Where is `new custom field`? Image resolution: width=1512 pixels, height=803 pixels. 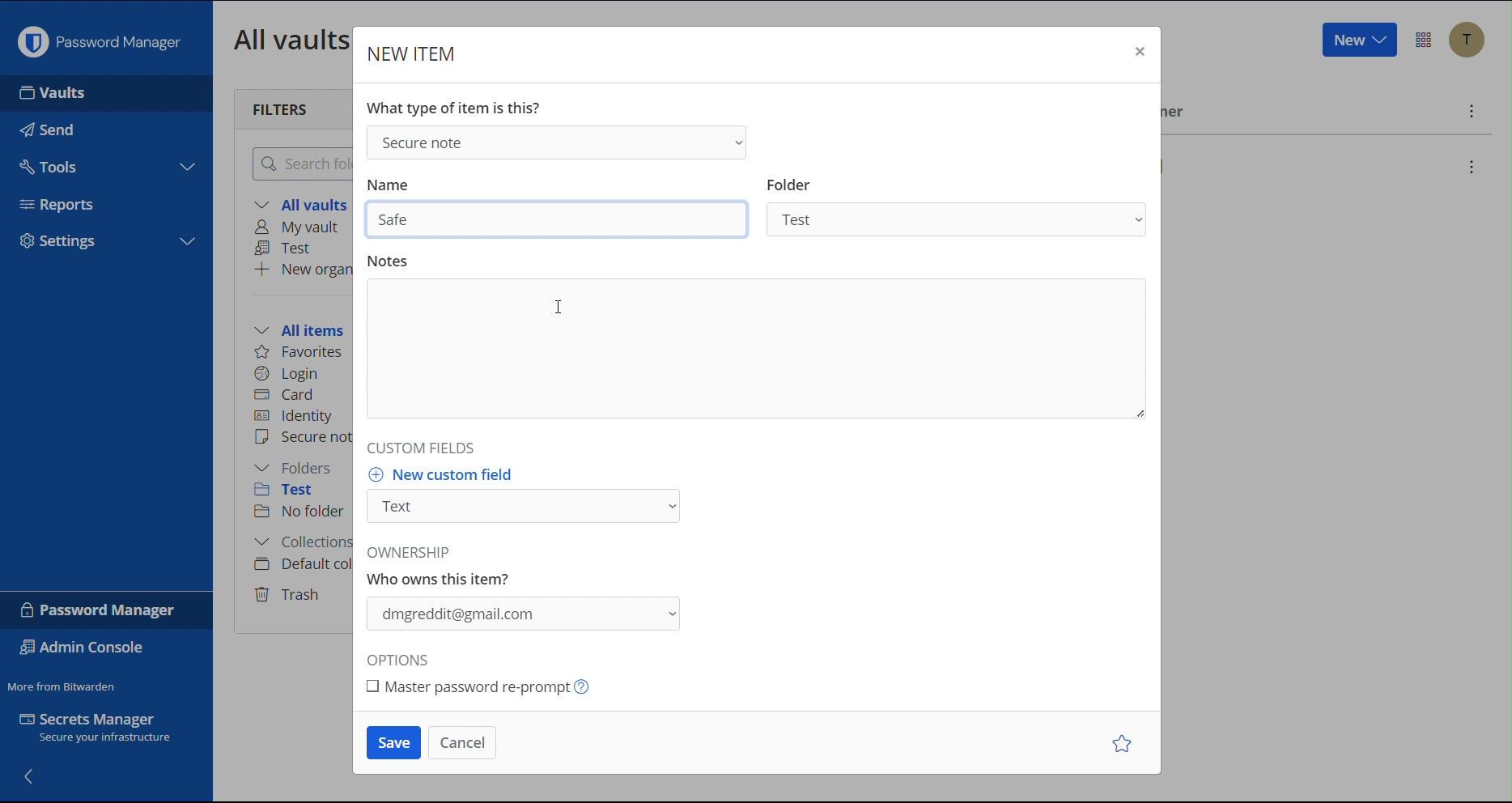 new custom field is located at coordinates (445, 474).